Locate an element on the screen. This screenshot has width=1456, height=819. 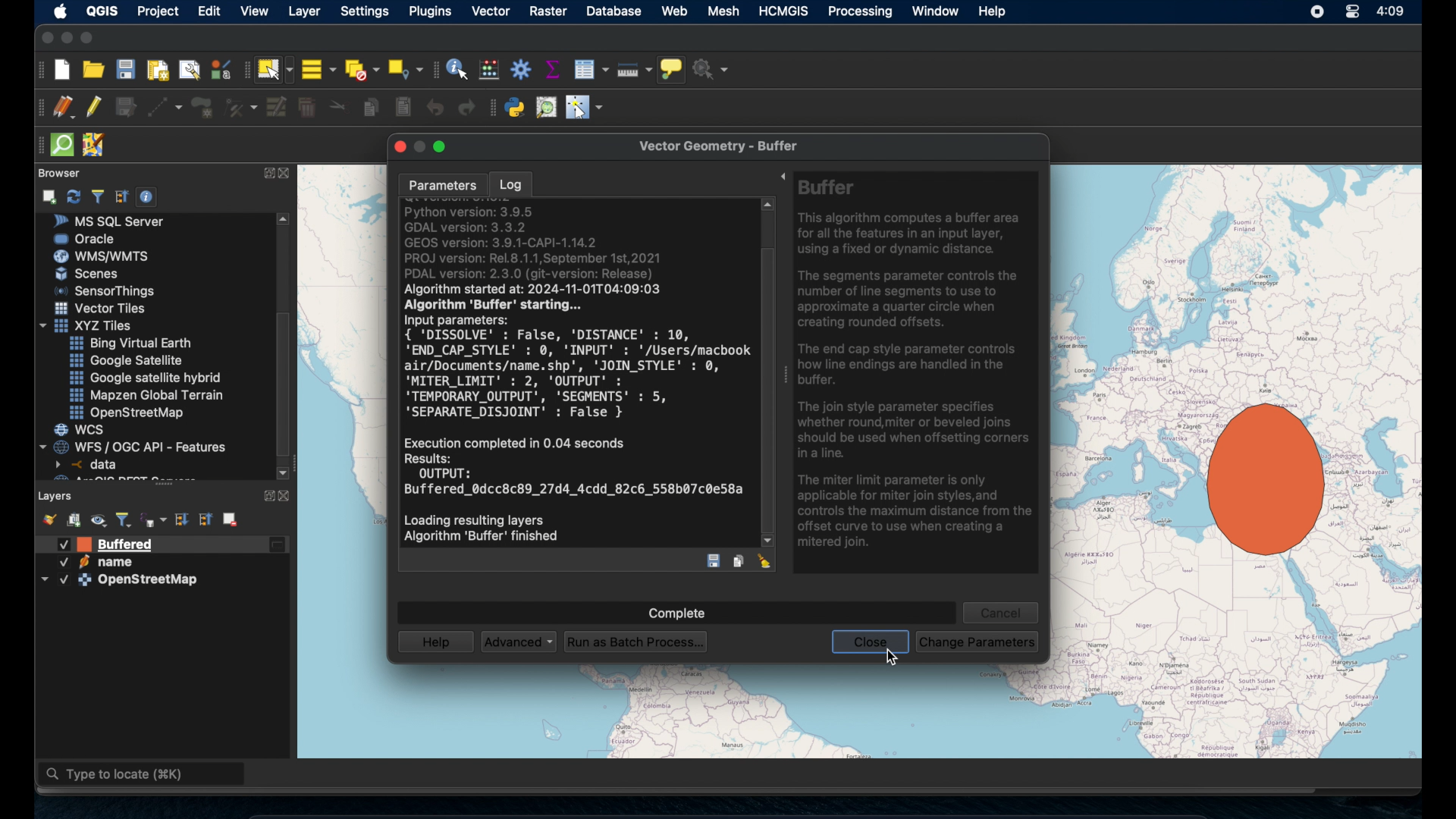
python console is located at coordinates (516, 108).